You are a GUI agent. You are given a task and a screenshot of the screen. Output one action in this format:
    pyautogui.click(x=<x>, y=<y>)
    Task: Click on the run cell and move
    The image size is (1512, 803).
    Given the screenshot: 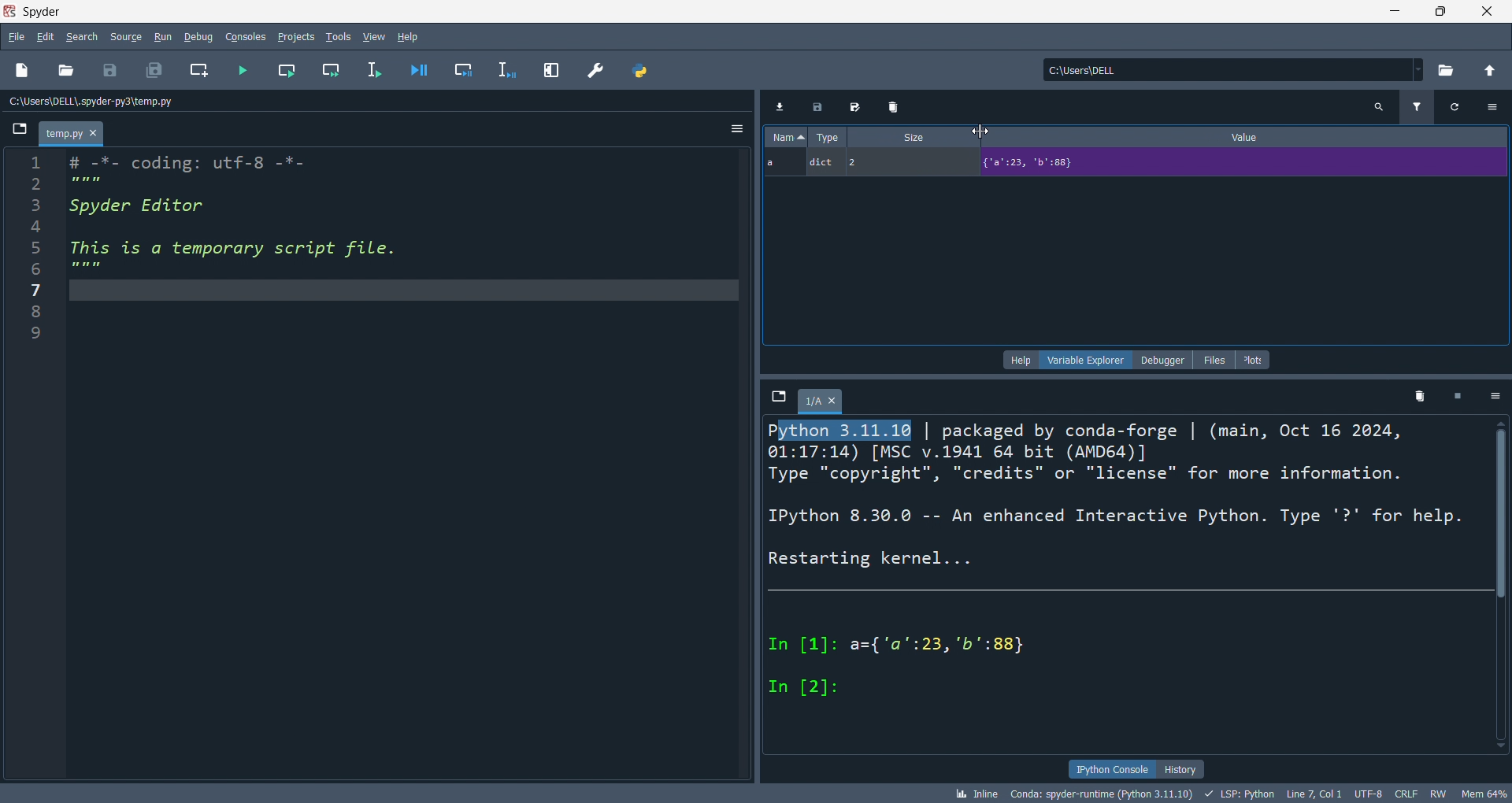 What is the action you would take?
    pyautogui.click(x=332, y=70)
    